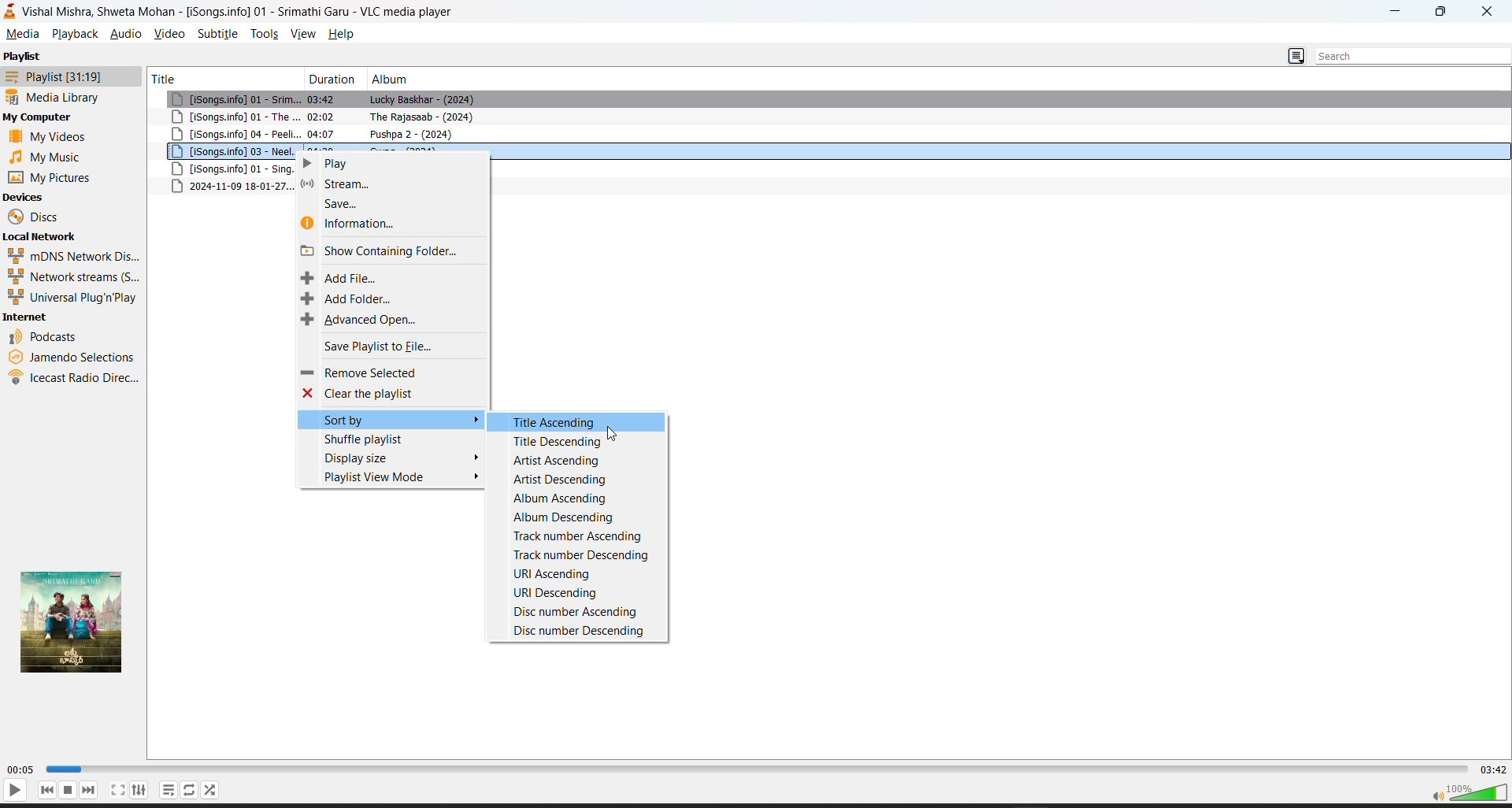 This screenshot has height=808, width=1512. What do you see at coordinates (61, 97) in the screenshot?
I see `media library` at bounding box center [61, 97].